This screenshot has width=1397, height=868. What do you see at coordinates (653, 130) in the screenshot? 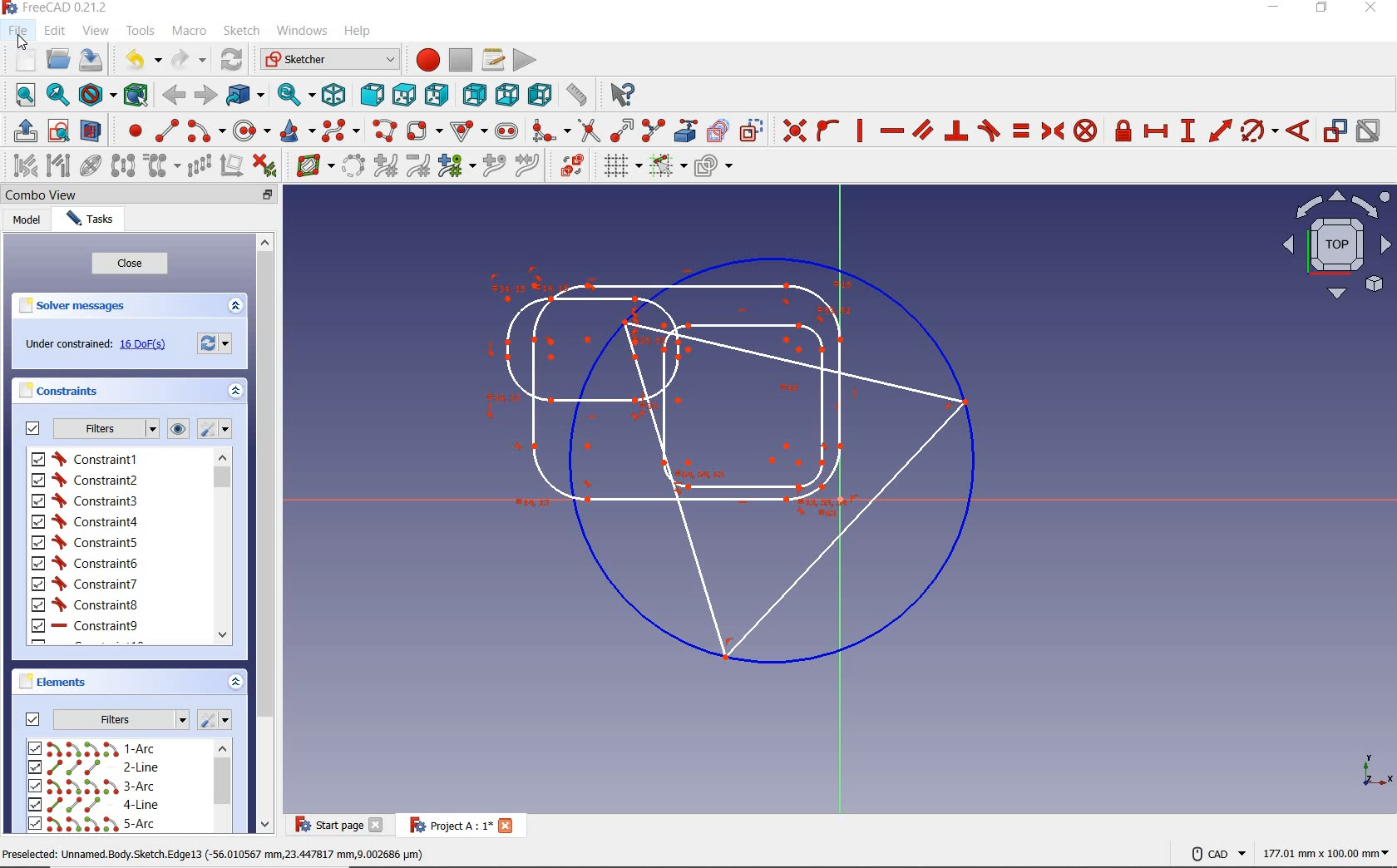
I see `split edge` at bounding box center [653, 130].